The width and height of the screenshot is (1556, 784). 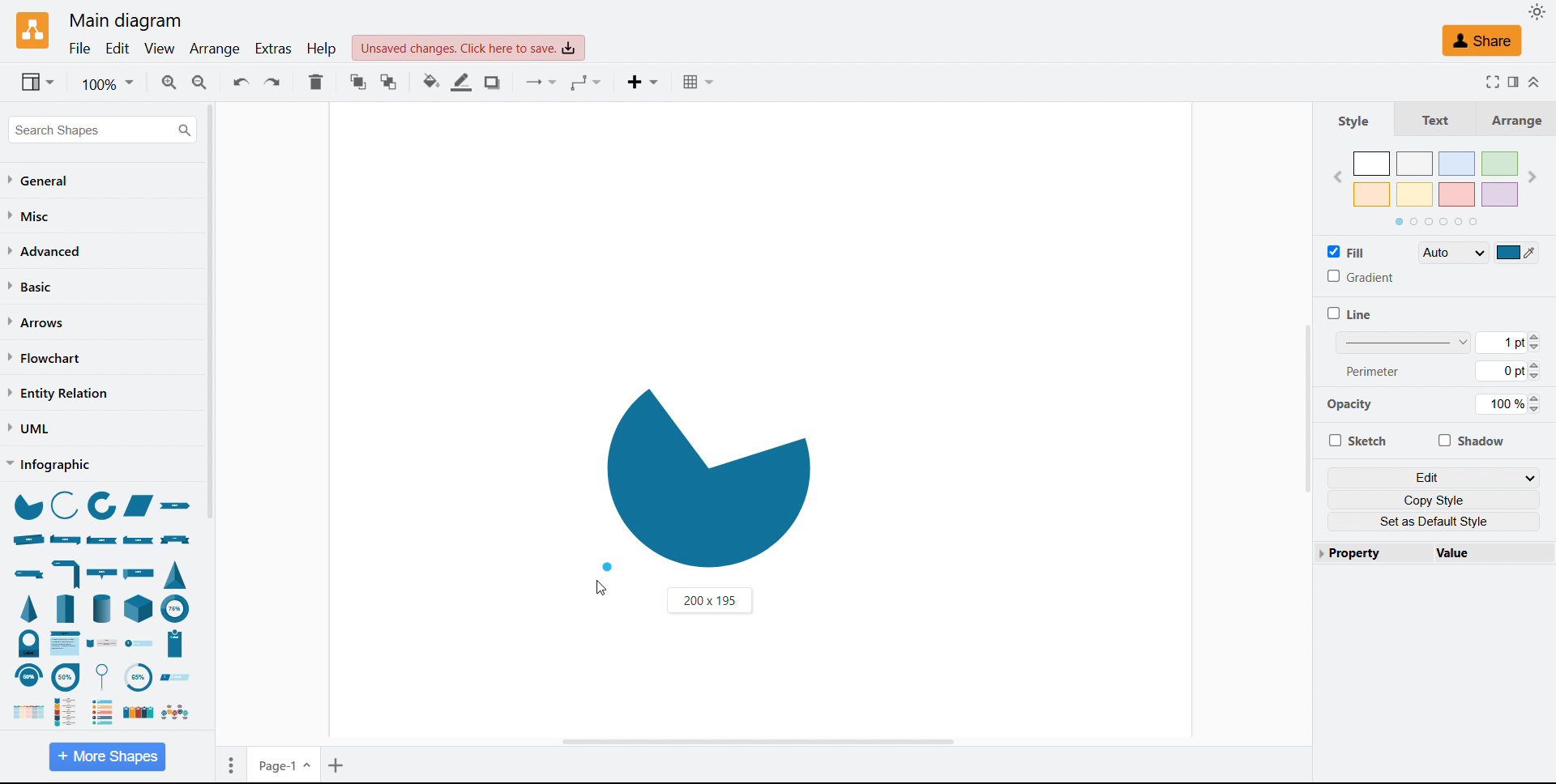 What do you see at coordinates (1307, 408) in the screenshot?
I see `Vertical scrollbar` at bounding box center [1307, 408].